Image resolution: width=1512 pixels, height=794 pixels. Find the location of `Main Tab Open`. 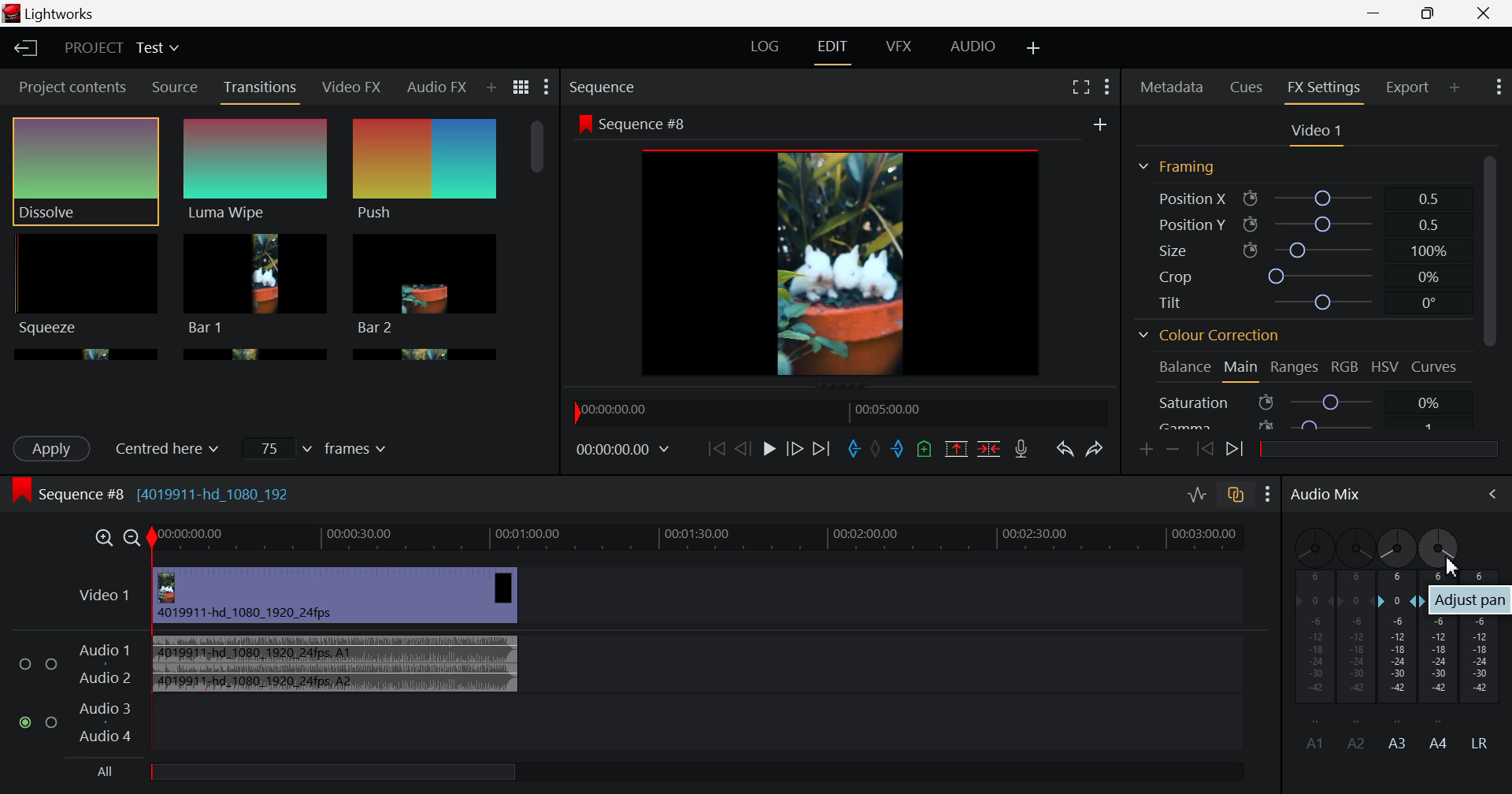

Main Tab Open is located at coordinates (1242, 369).